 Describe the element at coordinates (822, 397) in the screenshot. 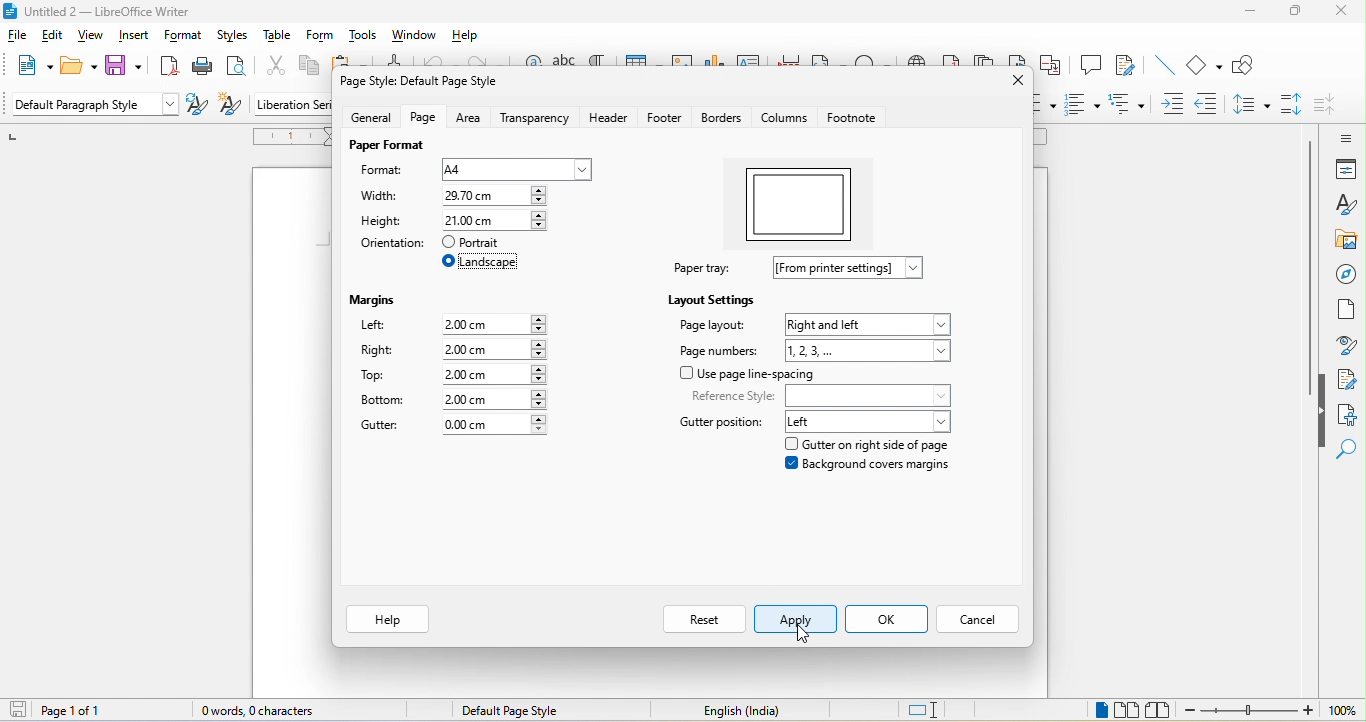

I see `reference style` at that location.